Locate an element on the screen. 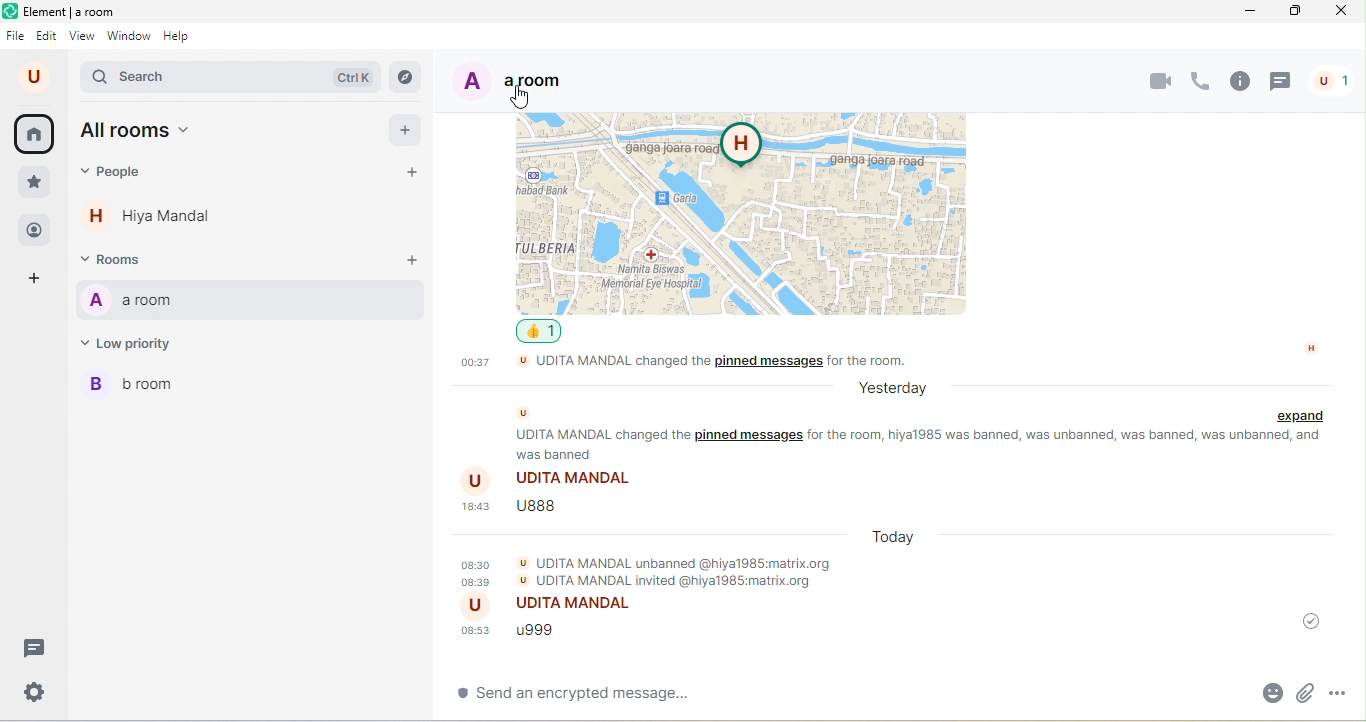 This screenshot has width=1366, height=722. video call is located at coordinates (1160, 82).